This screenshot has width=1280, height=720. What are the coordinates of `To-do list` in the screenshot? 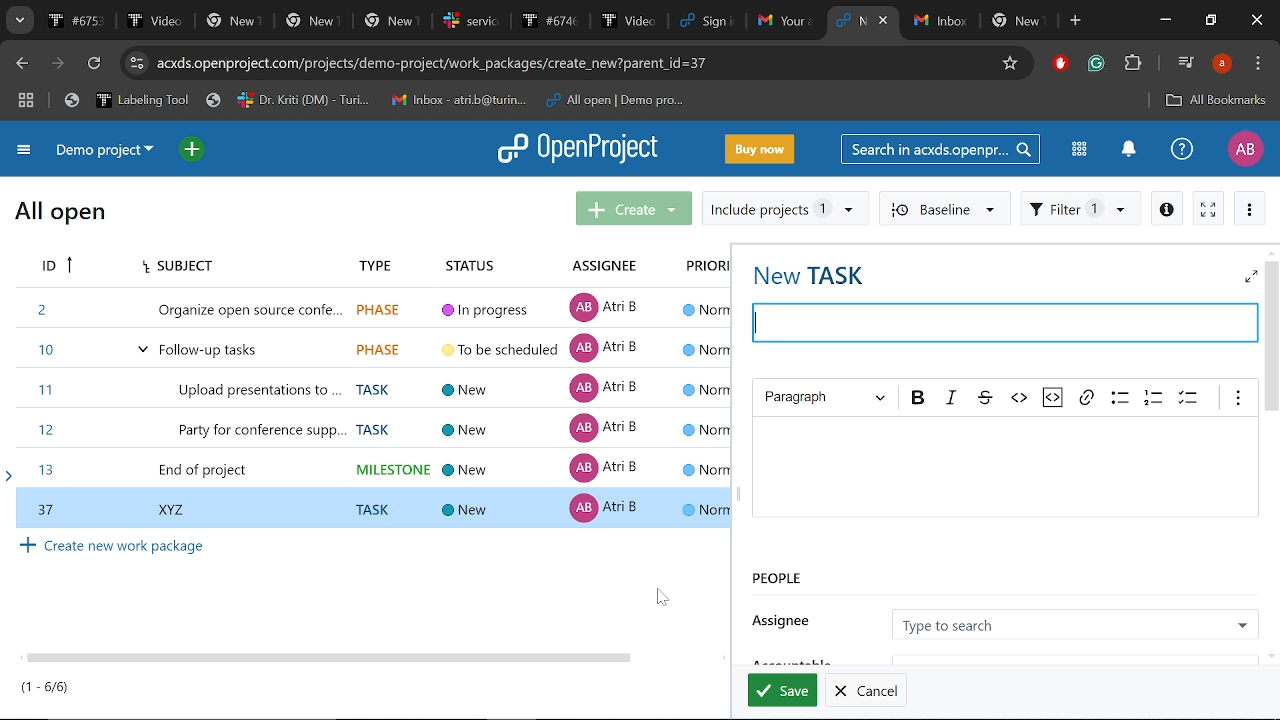 It's located at (1190, 398).